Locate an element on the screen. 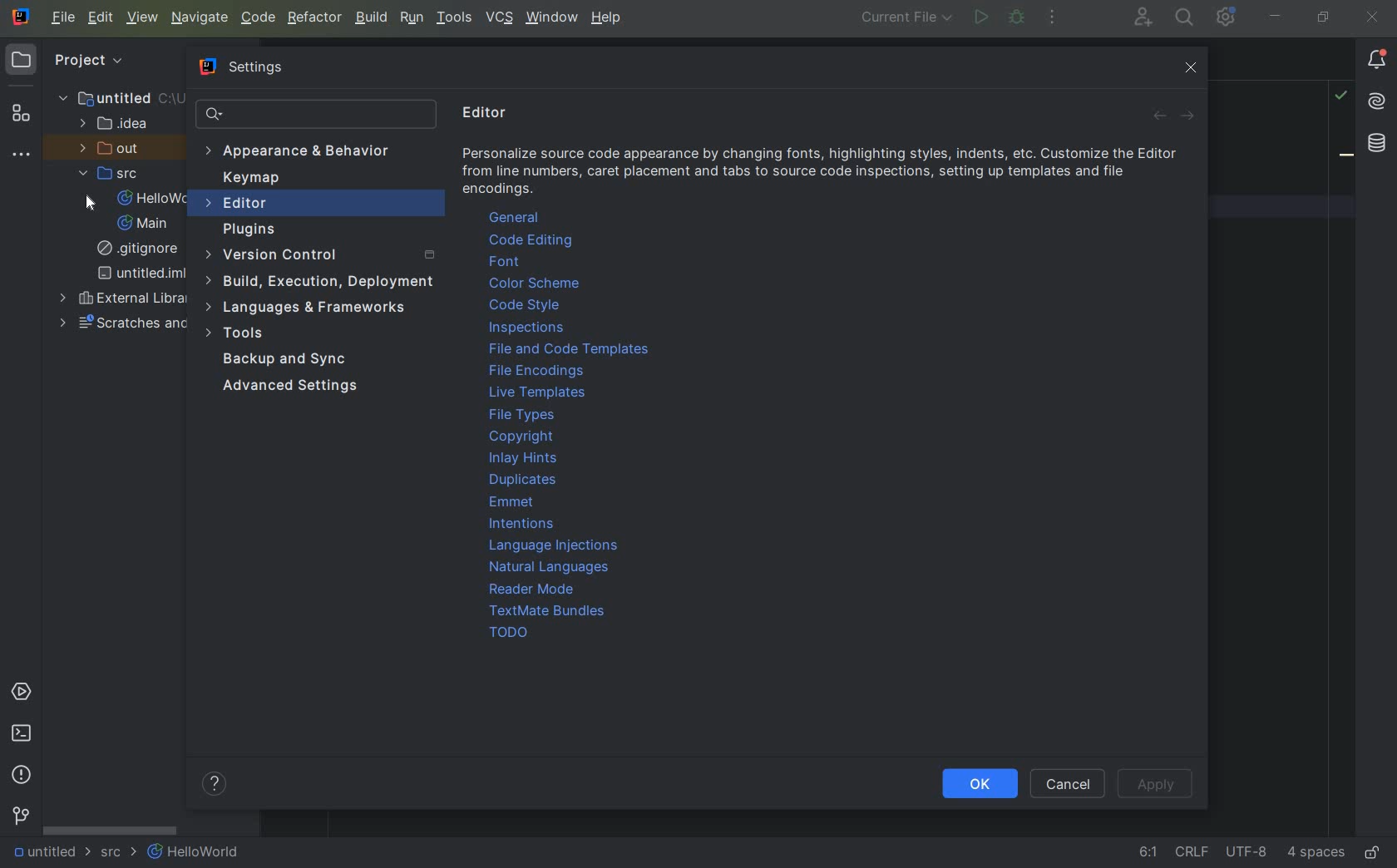  IDEA is located at coordinates (119, 125).